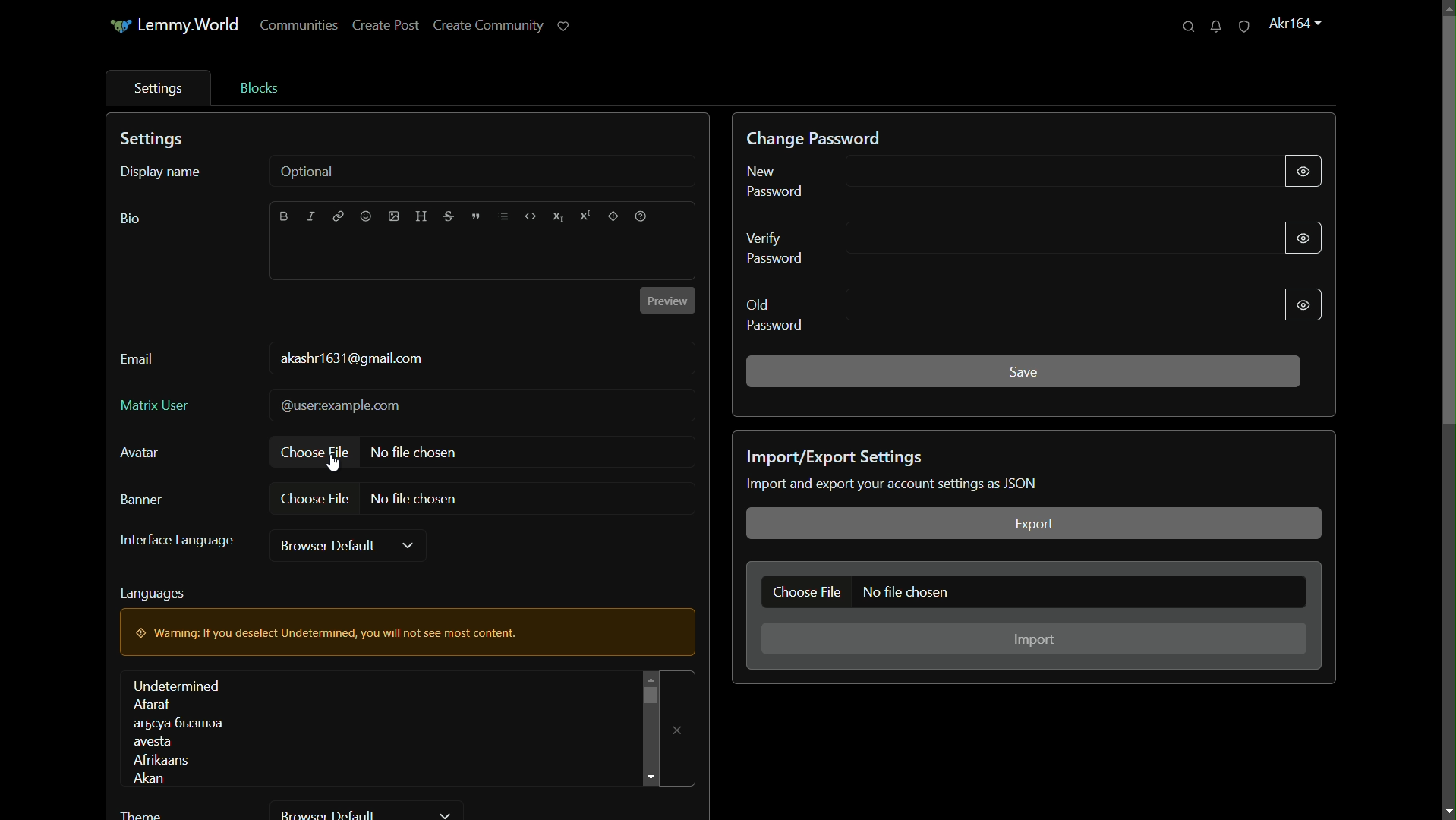 The width and height of the screenshot is (1456, 820). Describe the element at coordinates (129, 219) in the screenshot. I see `bio` at that location.